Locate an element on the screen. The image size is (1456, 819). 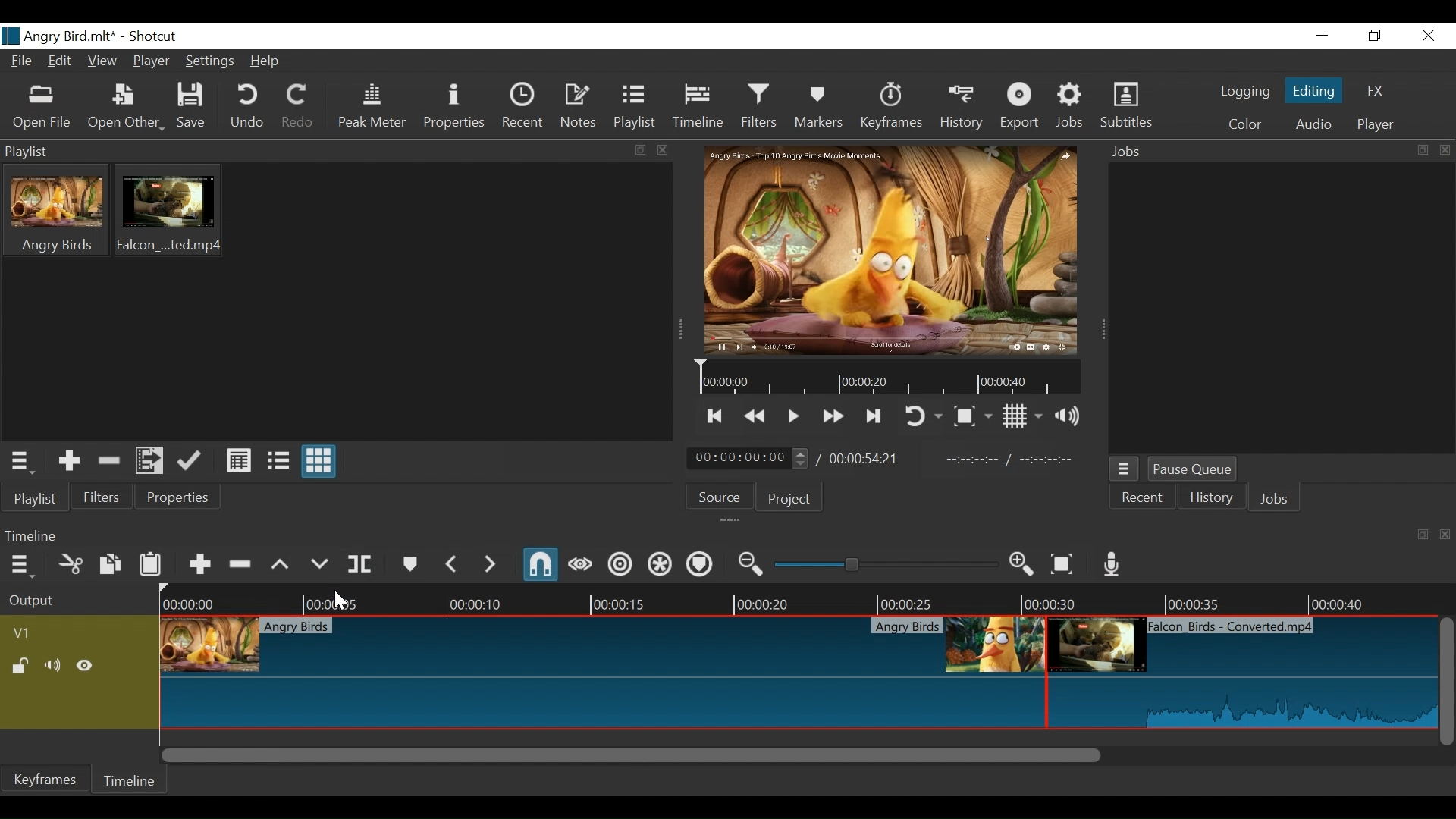
Jobs Panel is located at coordinates (1278, 152).